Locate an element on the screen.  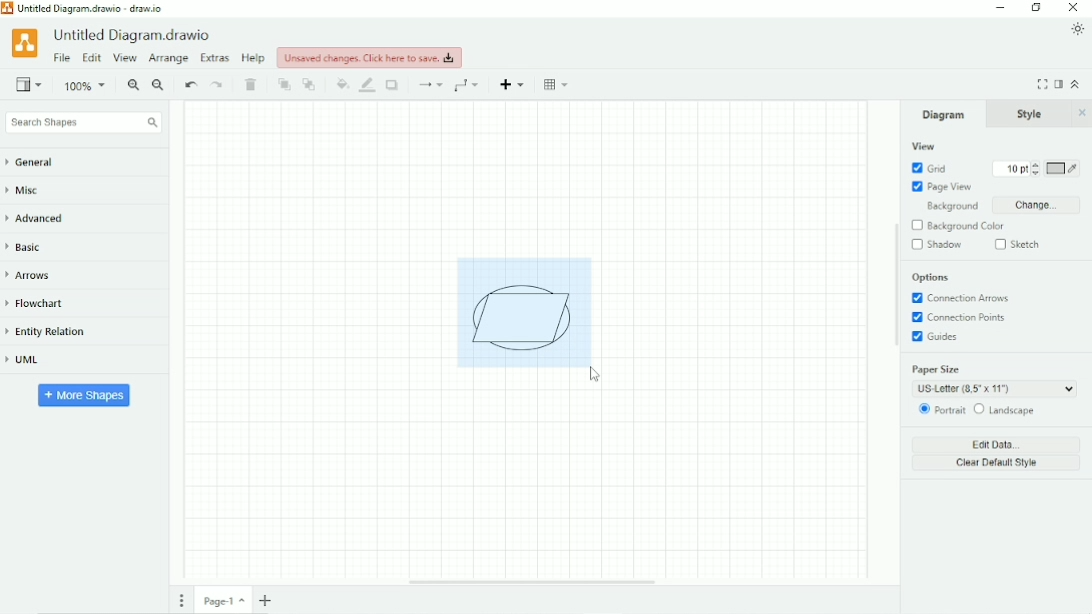
Delete is located at coordinates (253, 85).